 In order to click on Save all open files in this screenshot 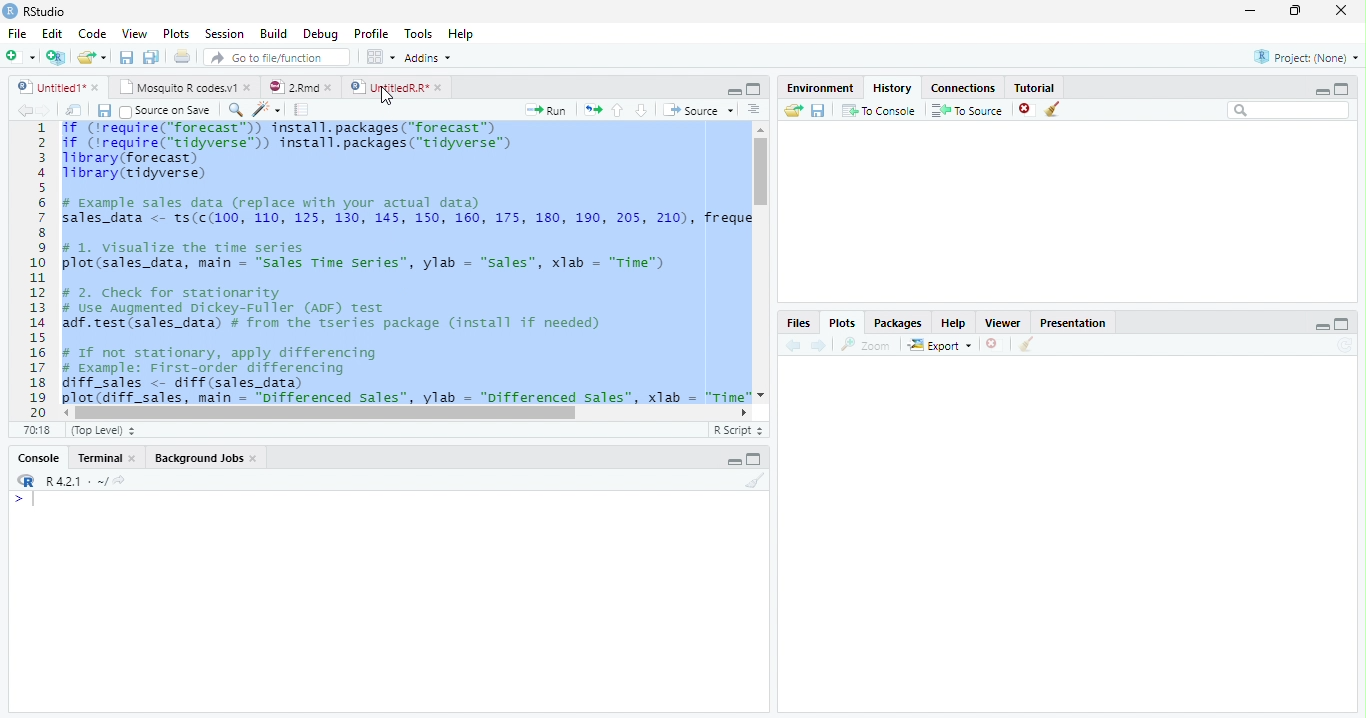, I will do `click(152, 57)`.